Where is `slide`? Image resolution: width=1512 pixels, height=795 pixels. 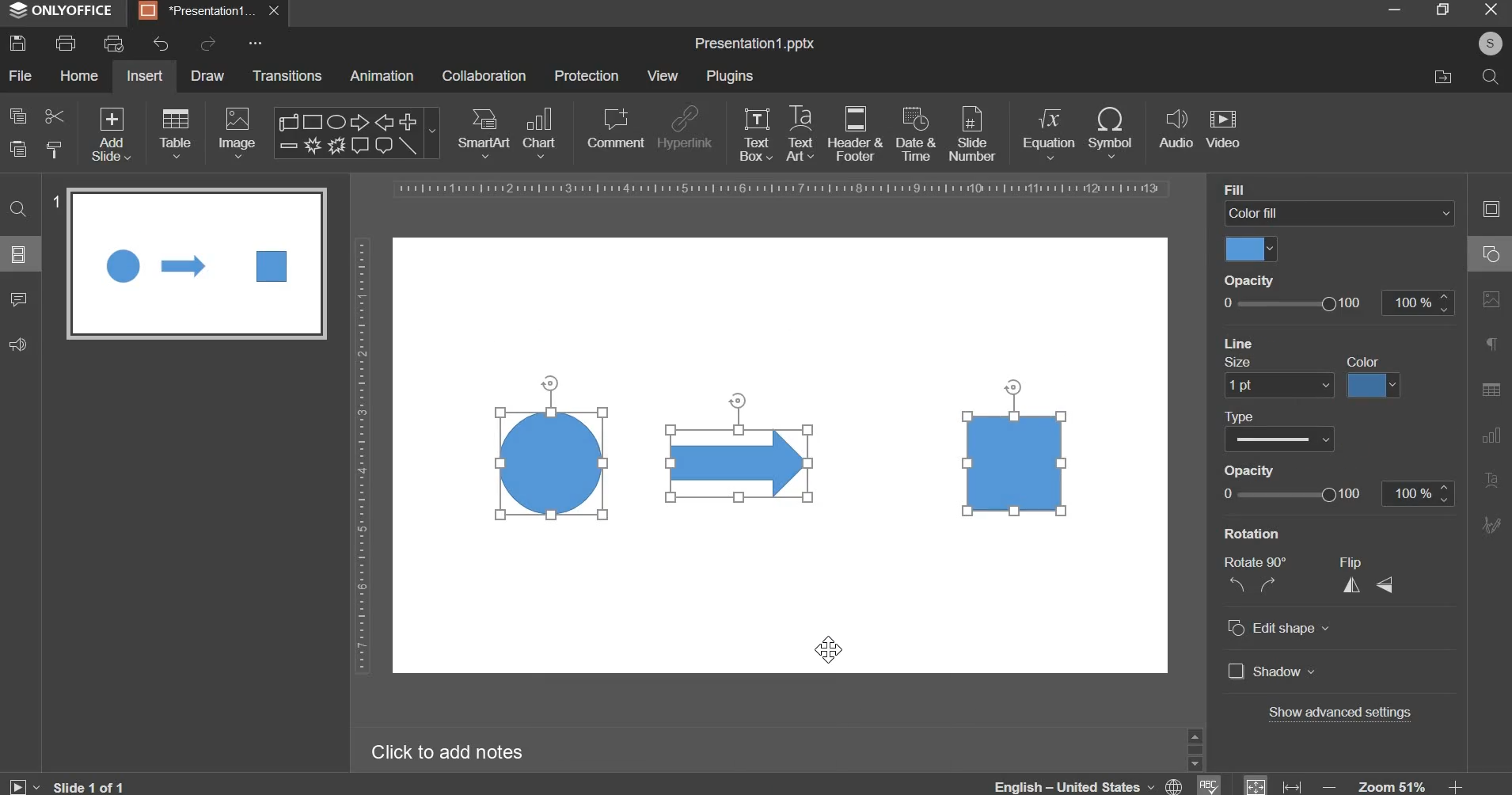 slide is located at coordinates (19, 253).